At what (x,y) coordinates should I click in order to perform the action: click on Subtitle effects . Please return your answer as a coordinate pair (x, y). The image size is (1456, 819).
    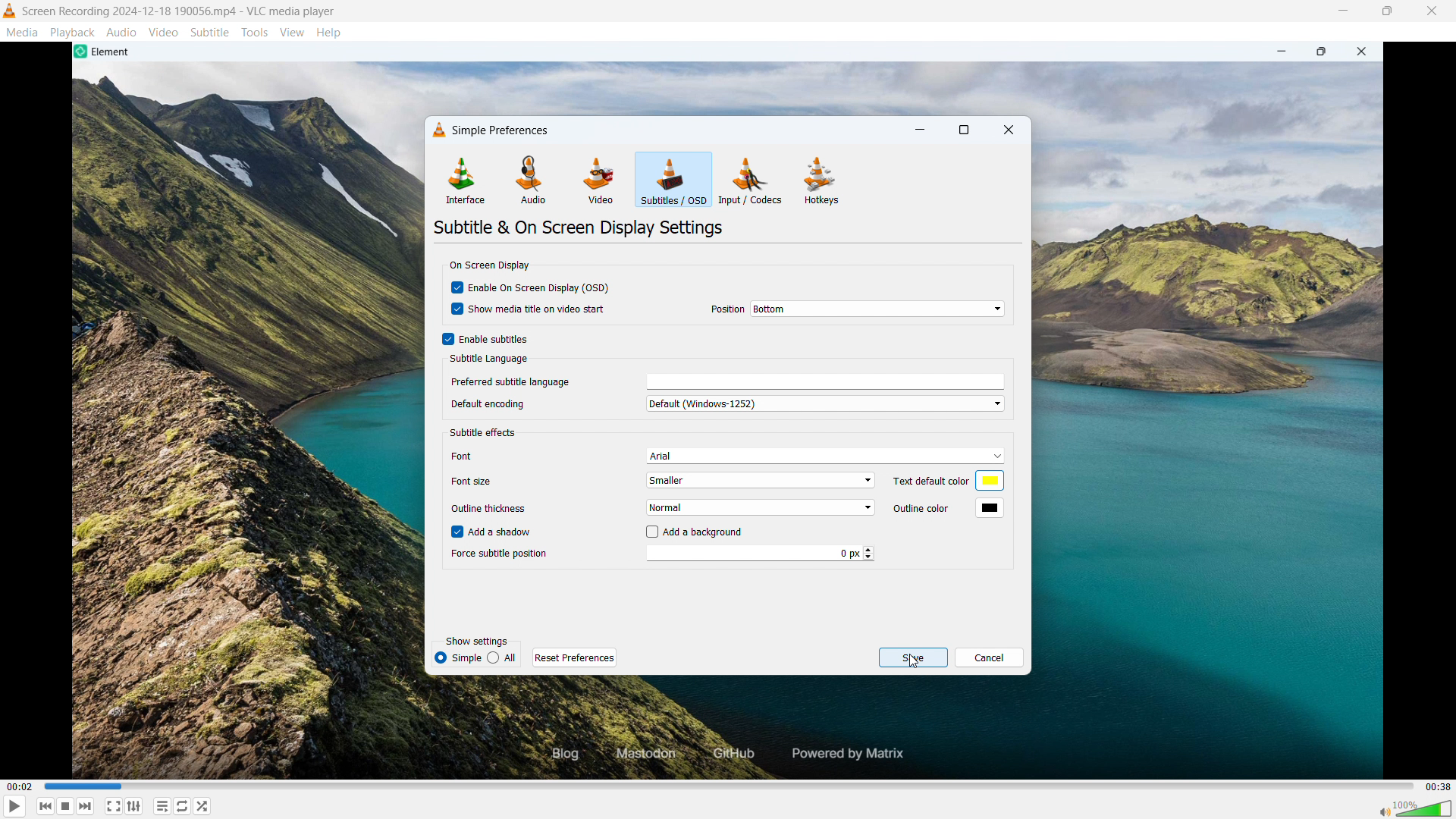
    Looking at the image, I should click on (484, 432).